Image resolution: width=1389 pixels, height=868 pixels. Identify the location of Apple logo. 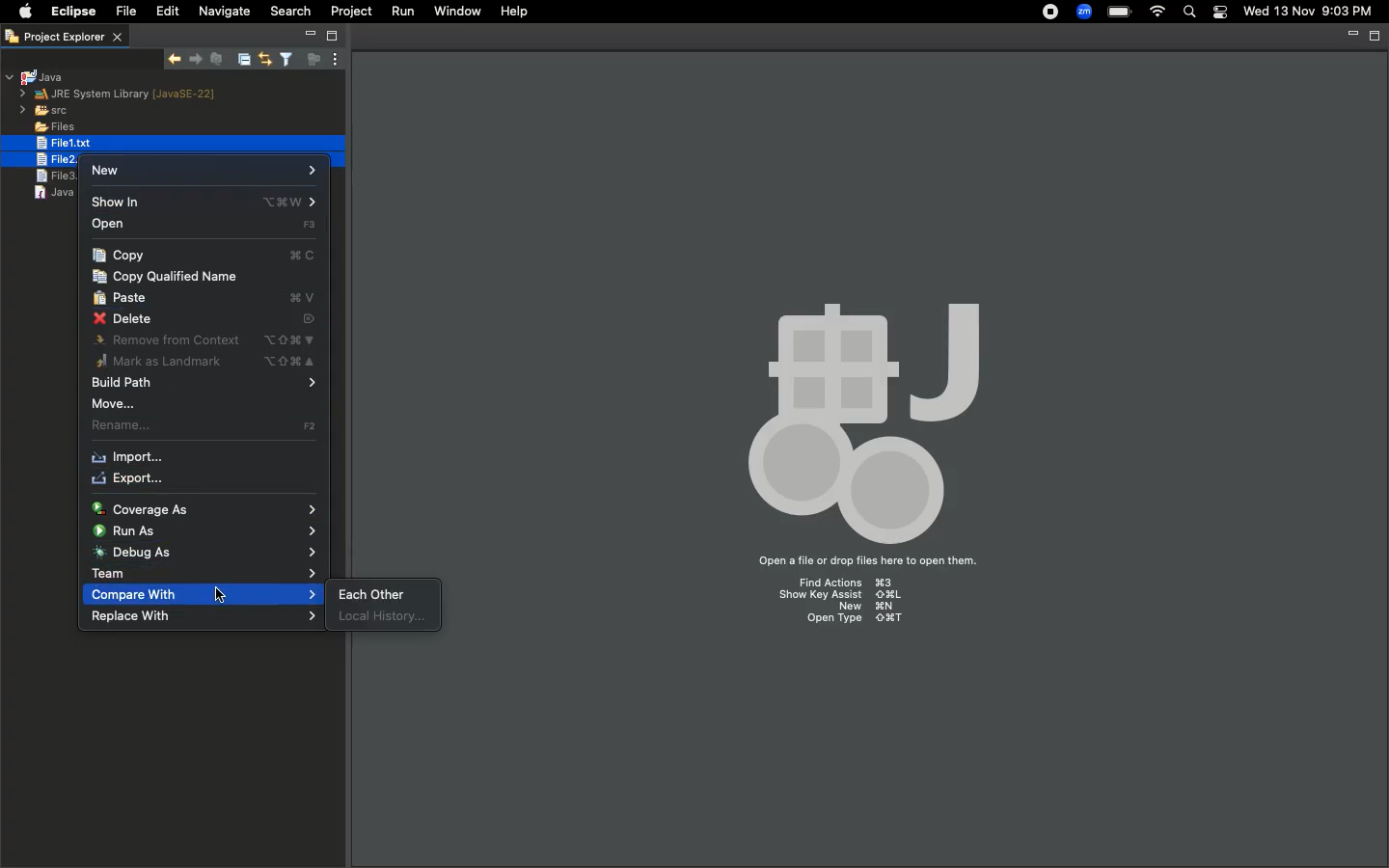
(21, 14).